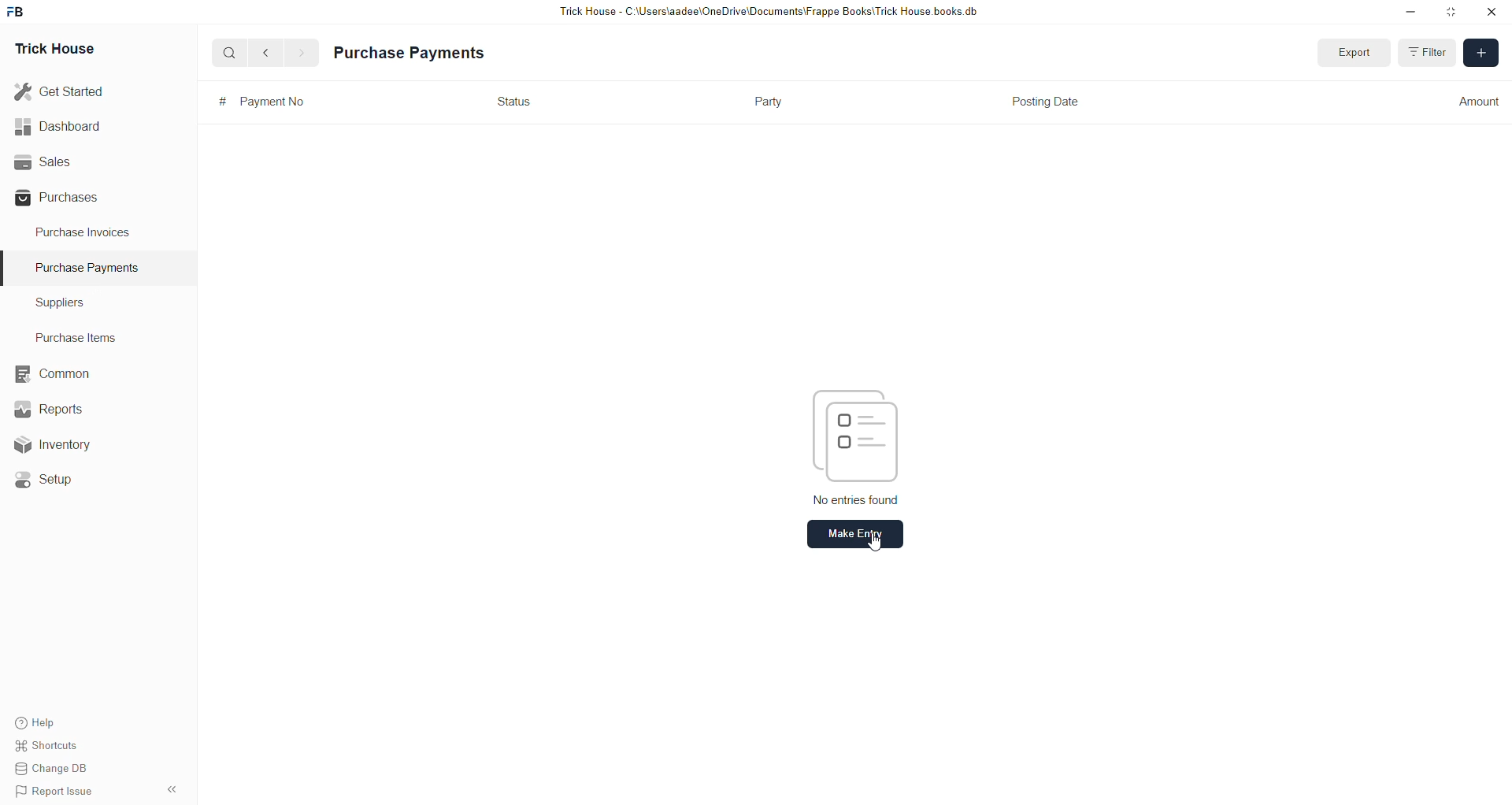 This screenshot has width=1512, height=805. Describe the element at coordinates (57, 46) in the screenshot. I see `Trick House` at that location.